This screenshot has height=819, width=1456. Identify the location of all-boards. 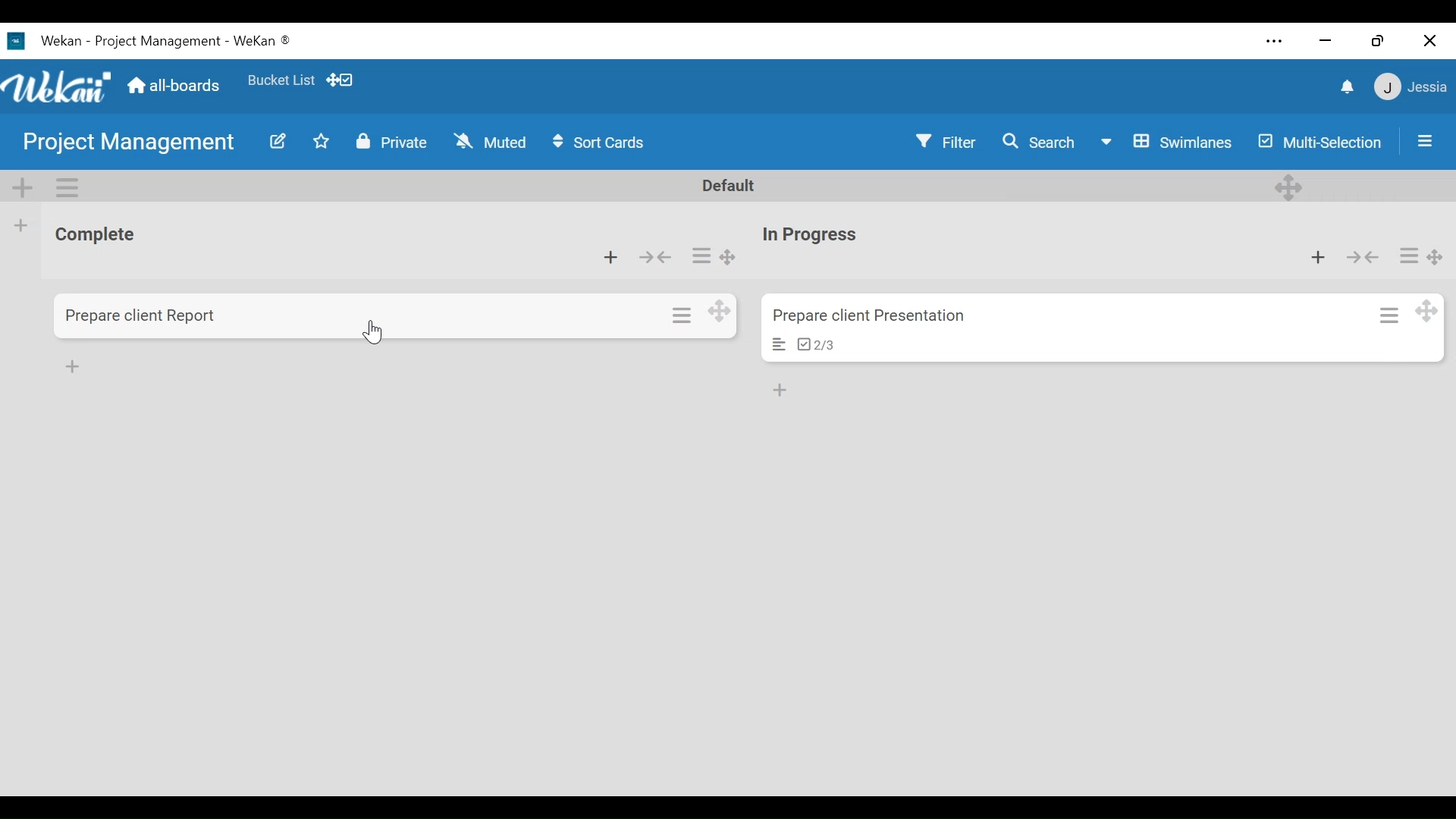
(171, 85).